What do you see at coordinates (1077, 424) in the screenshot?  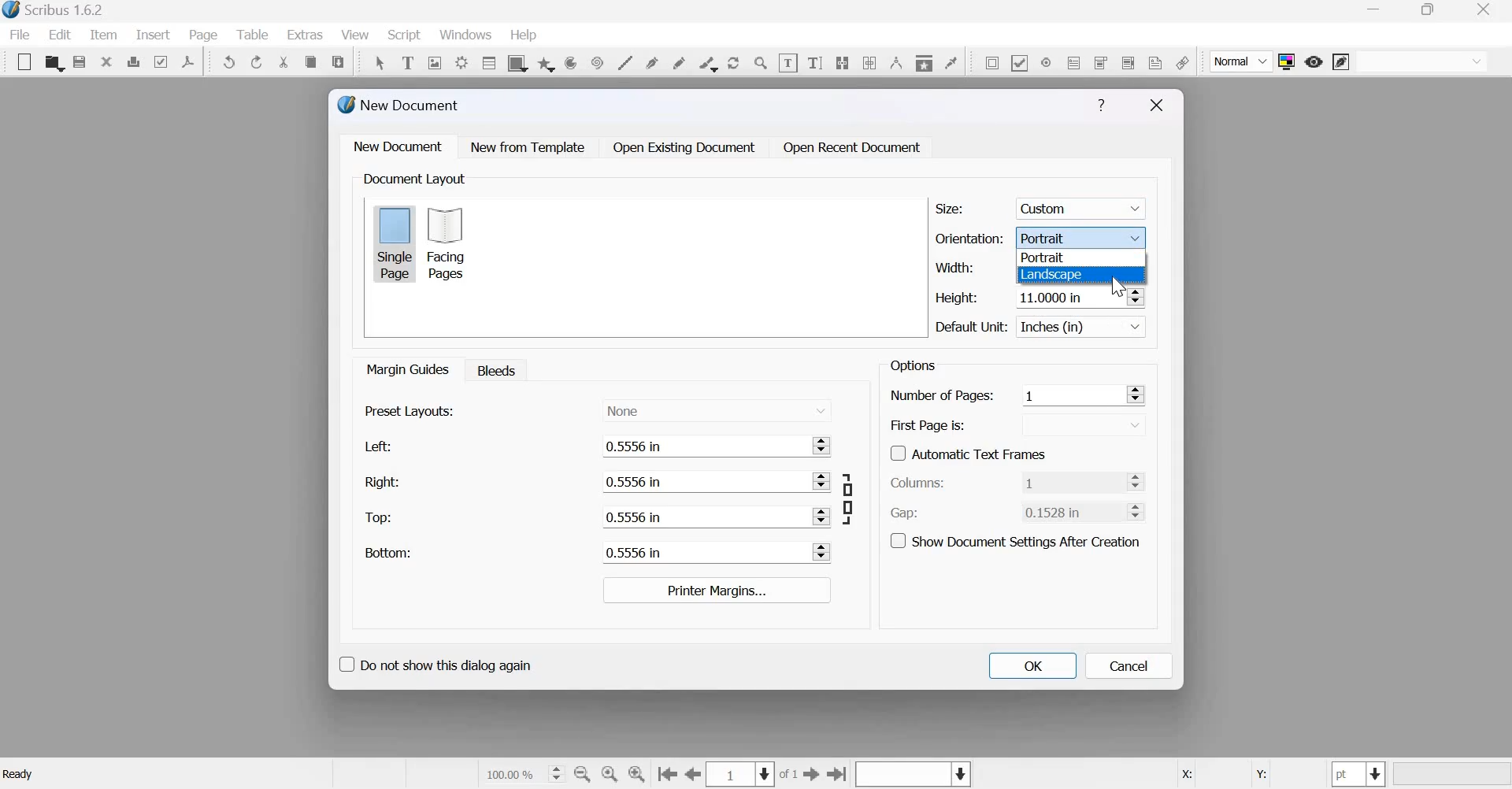 I see `down` at bounding box center [1077, 424].